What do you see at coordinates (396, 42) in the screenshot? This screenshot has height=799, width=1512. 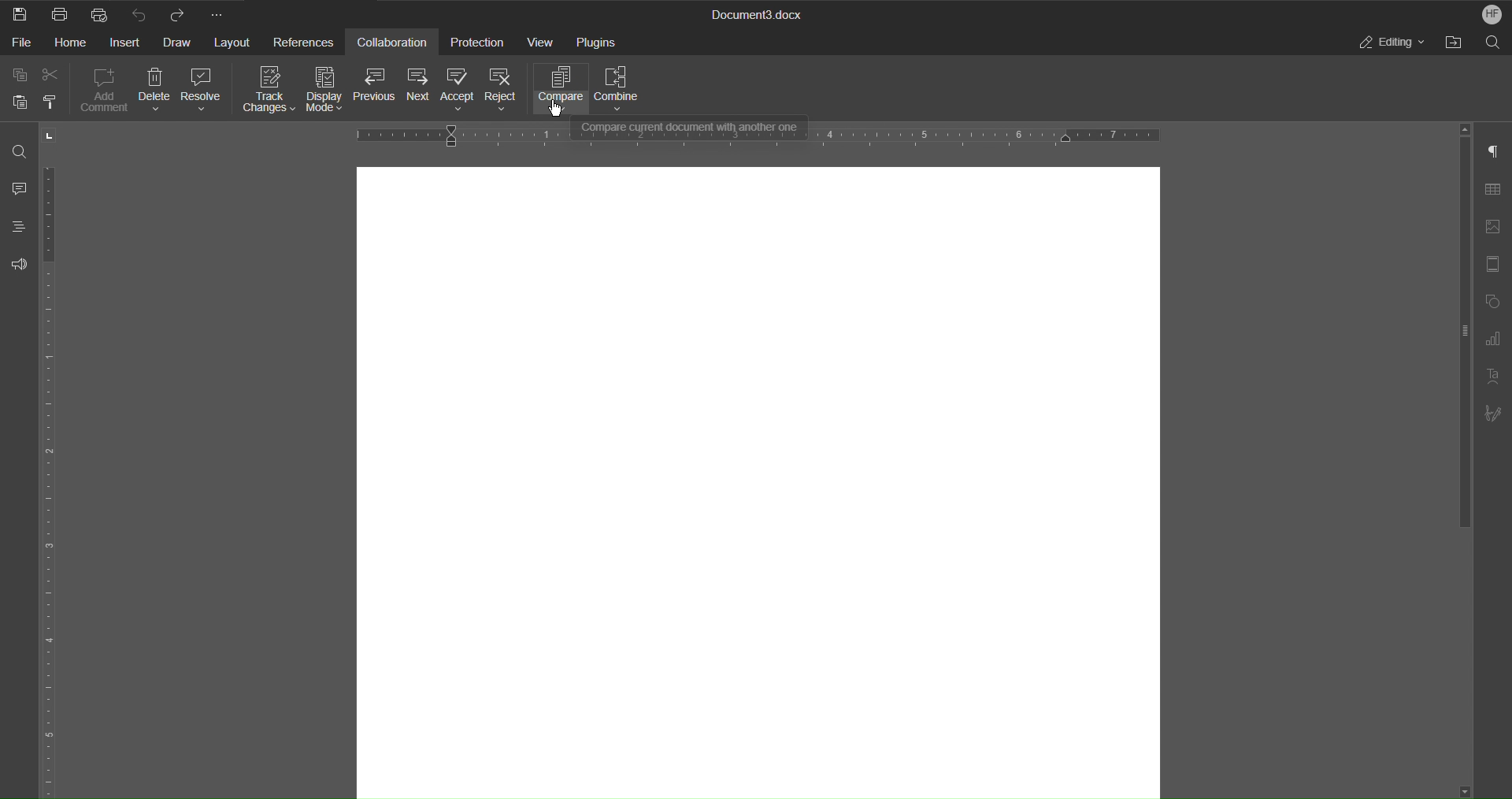 I see `Collaboration` at bounding box center [396, 42].